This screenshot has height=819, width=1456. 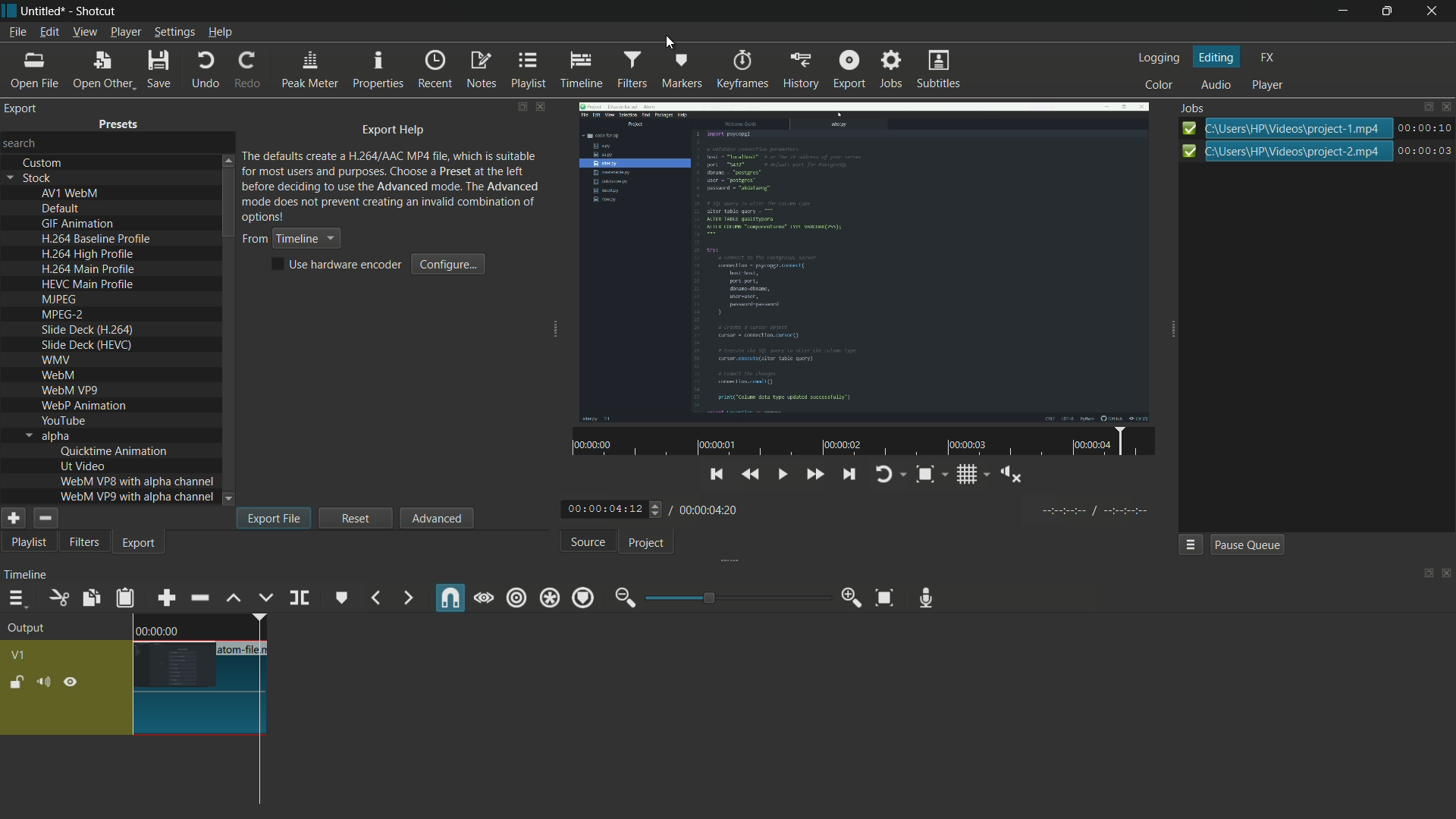 I want to click on time, so click(x=157, y=630).